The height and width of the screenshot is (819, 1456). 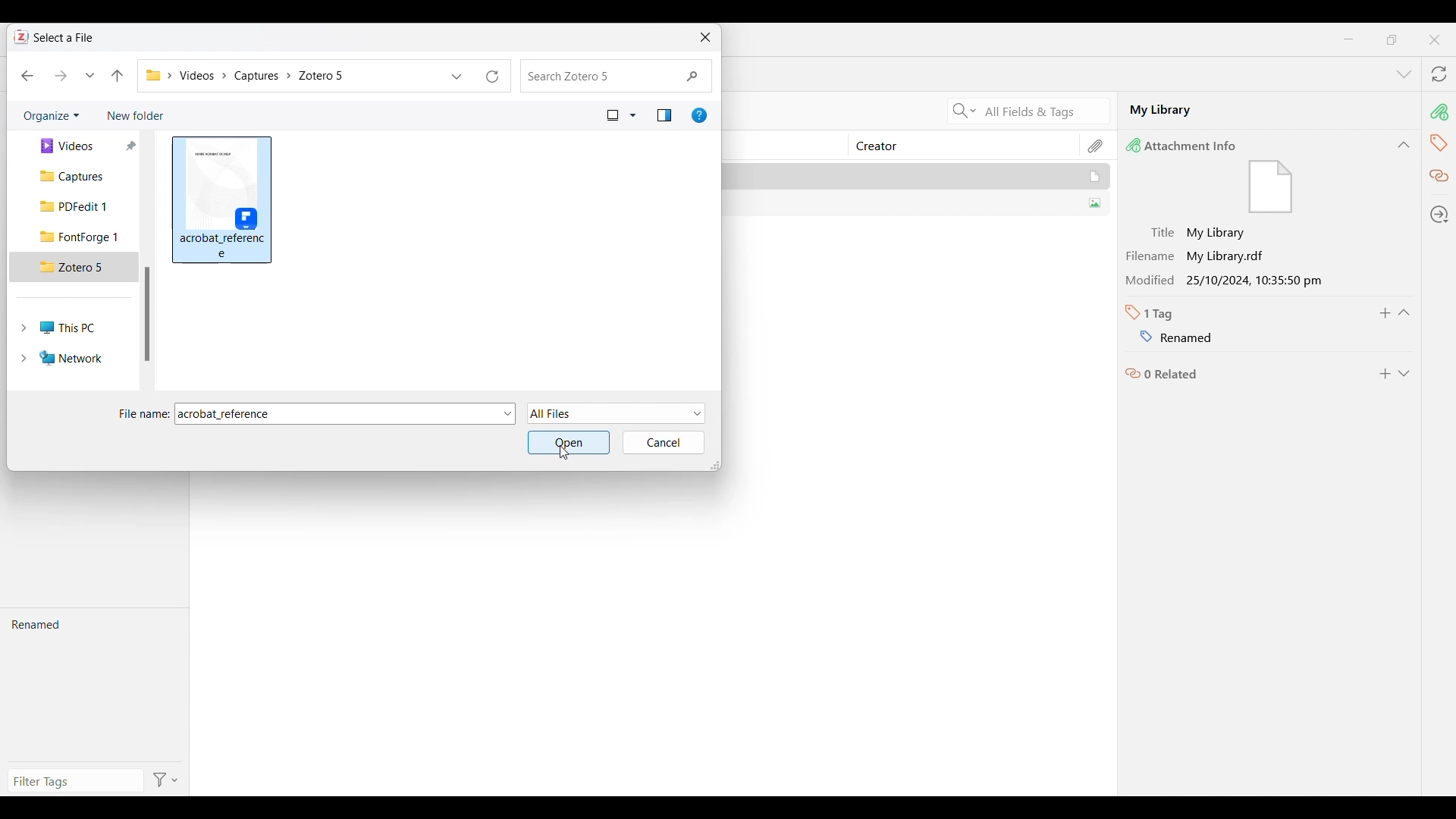 What do you see at coordinates (594, 75) in the screenshot?
I see `Search folder changed to Zotero 5` at bounding box center [594, 75].